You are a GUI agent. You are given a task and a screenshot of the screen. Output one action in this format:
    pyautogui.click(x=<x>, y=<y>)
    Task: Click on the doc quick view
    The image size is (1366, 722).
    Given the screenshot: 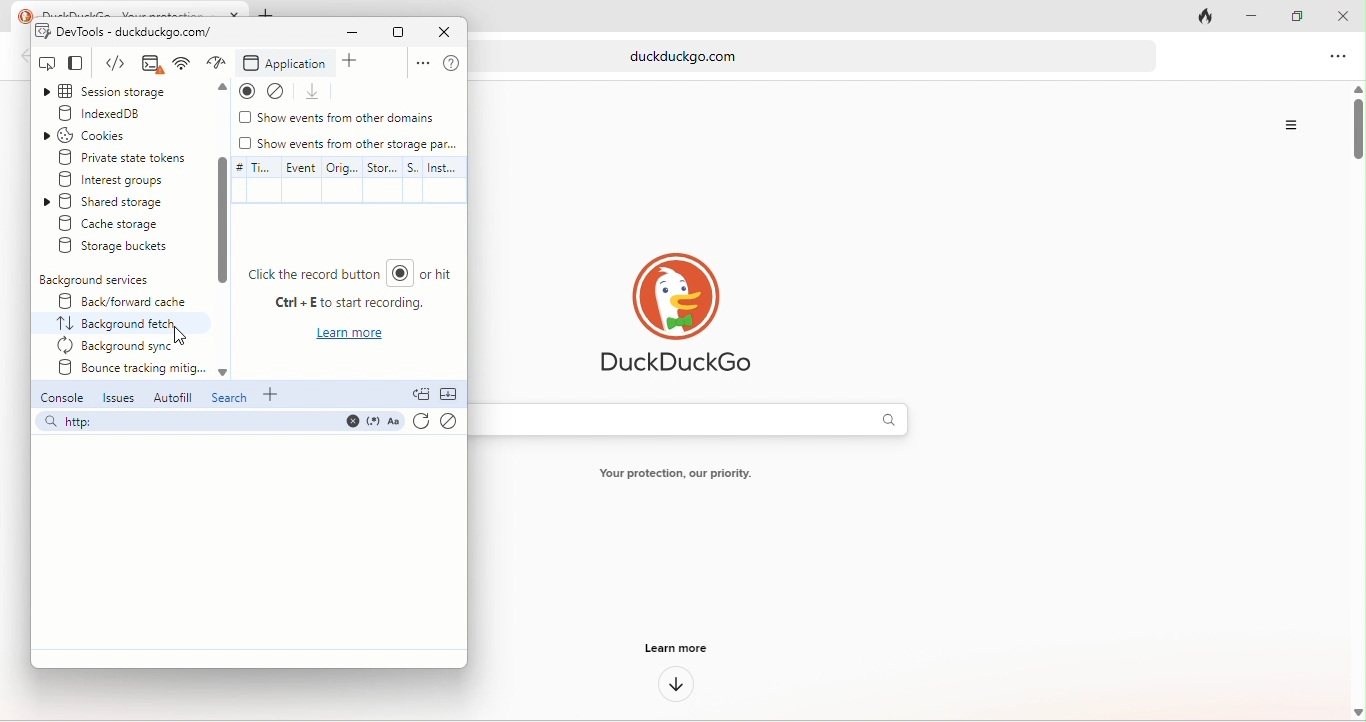 What is the action you would take?
    pyautogui.click(x=421, y=395)
    